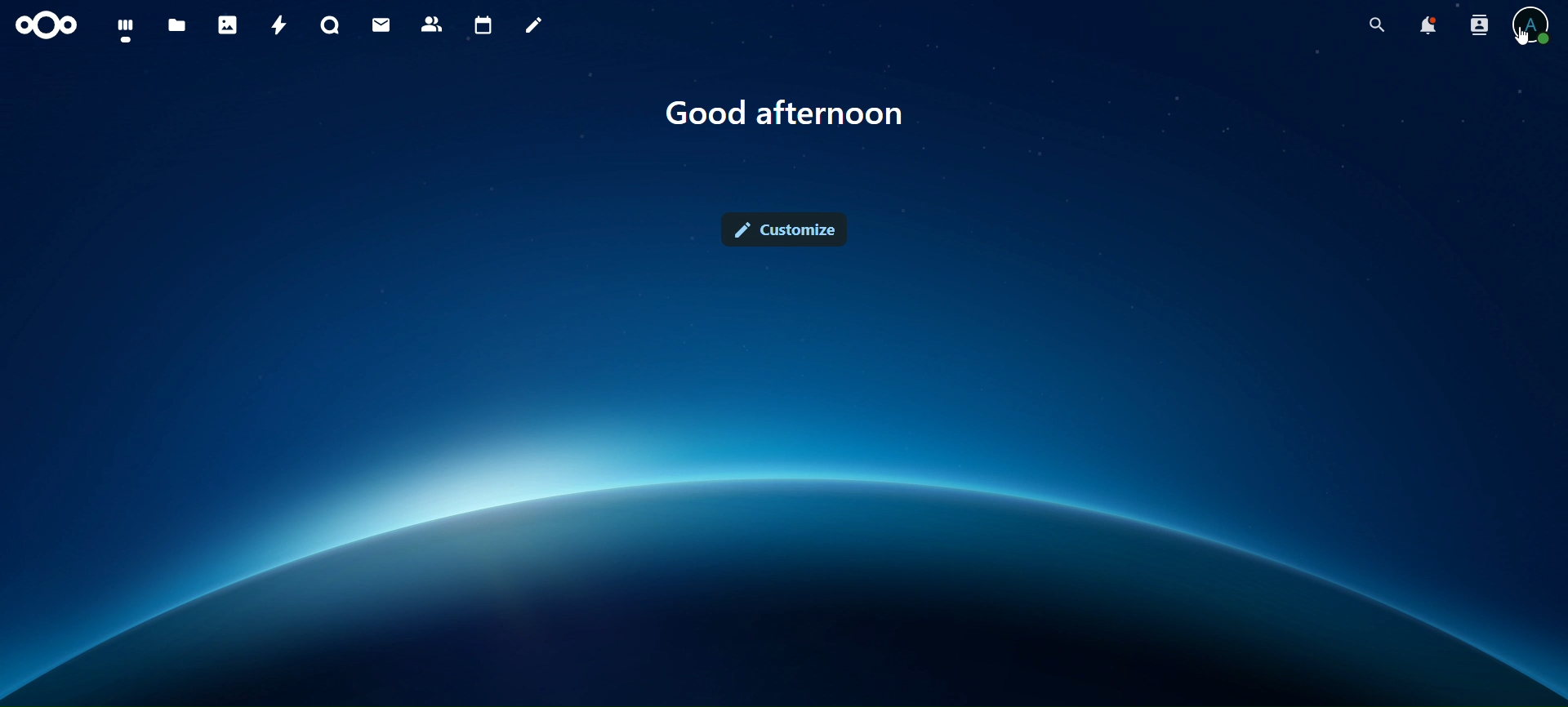 The height and width of the screenshot is (707, 1568). I want to click on icon, so click(43, 23).